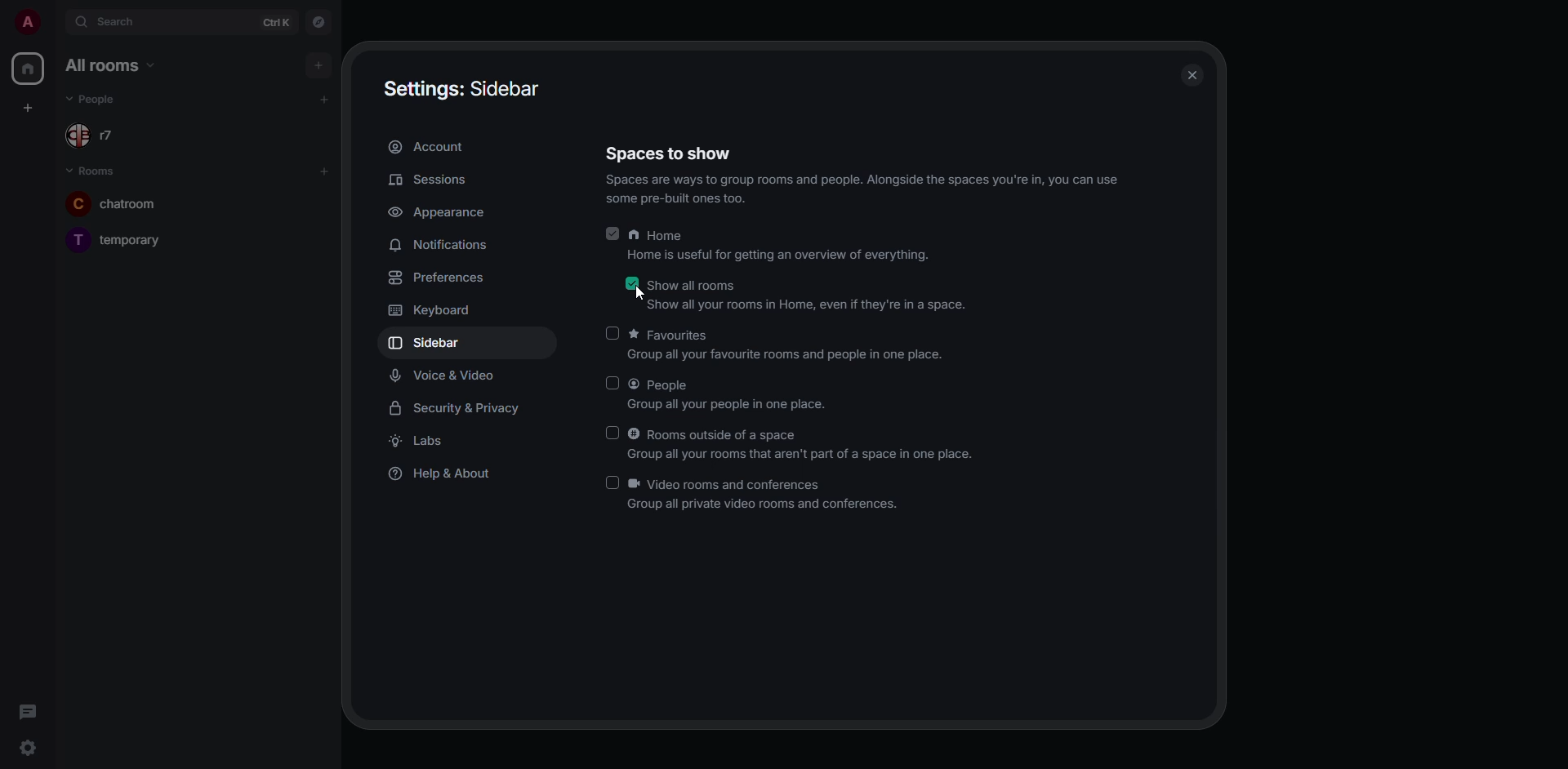 The width and height of the screenshot is (1568, 769). I want to click on keyboard, so click(442, 312).